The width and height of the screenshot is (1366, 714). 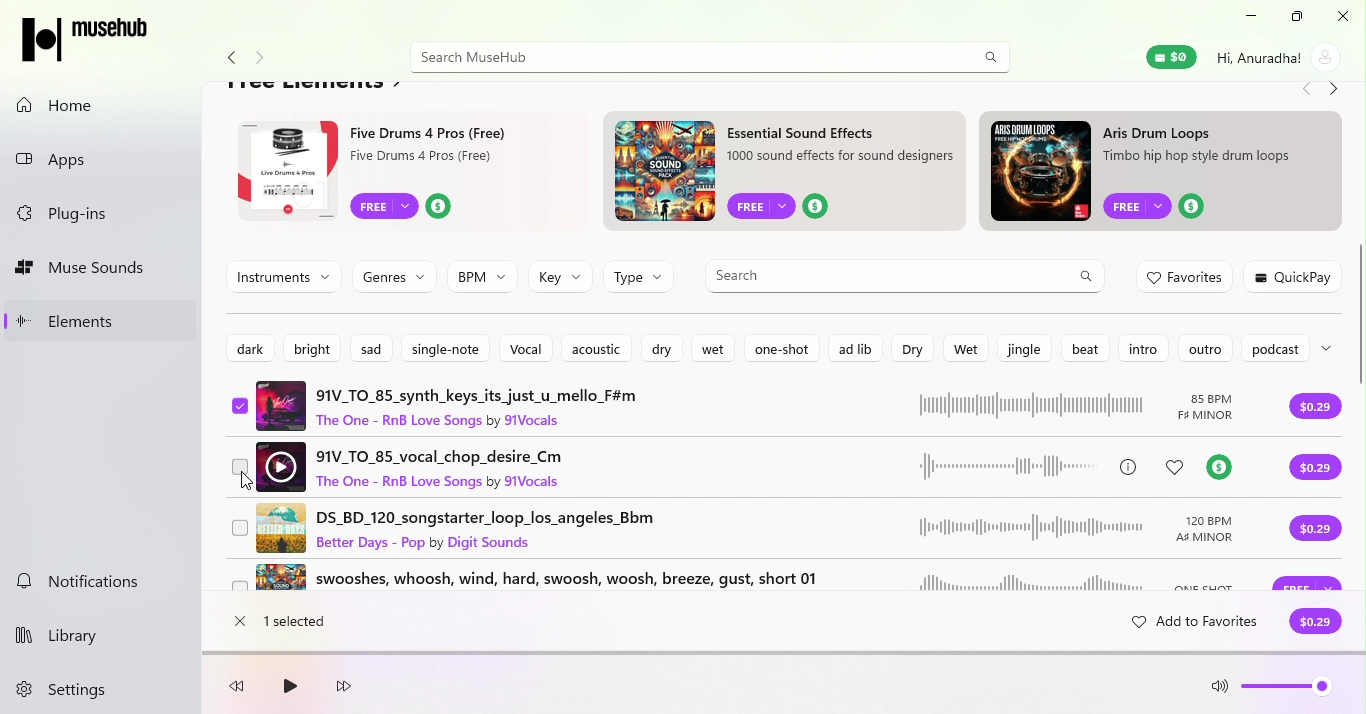 I want to click on Navigate back, so click(x=228, y=59).